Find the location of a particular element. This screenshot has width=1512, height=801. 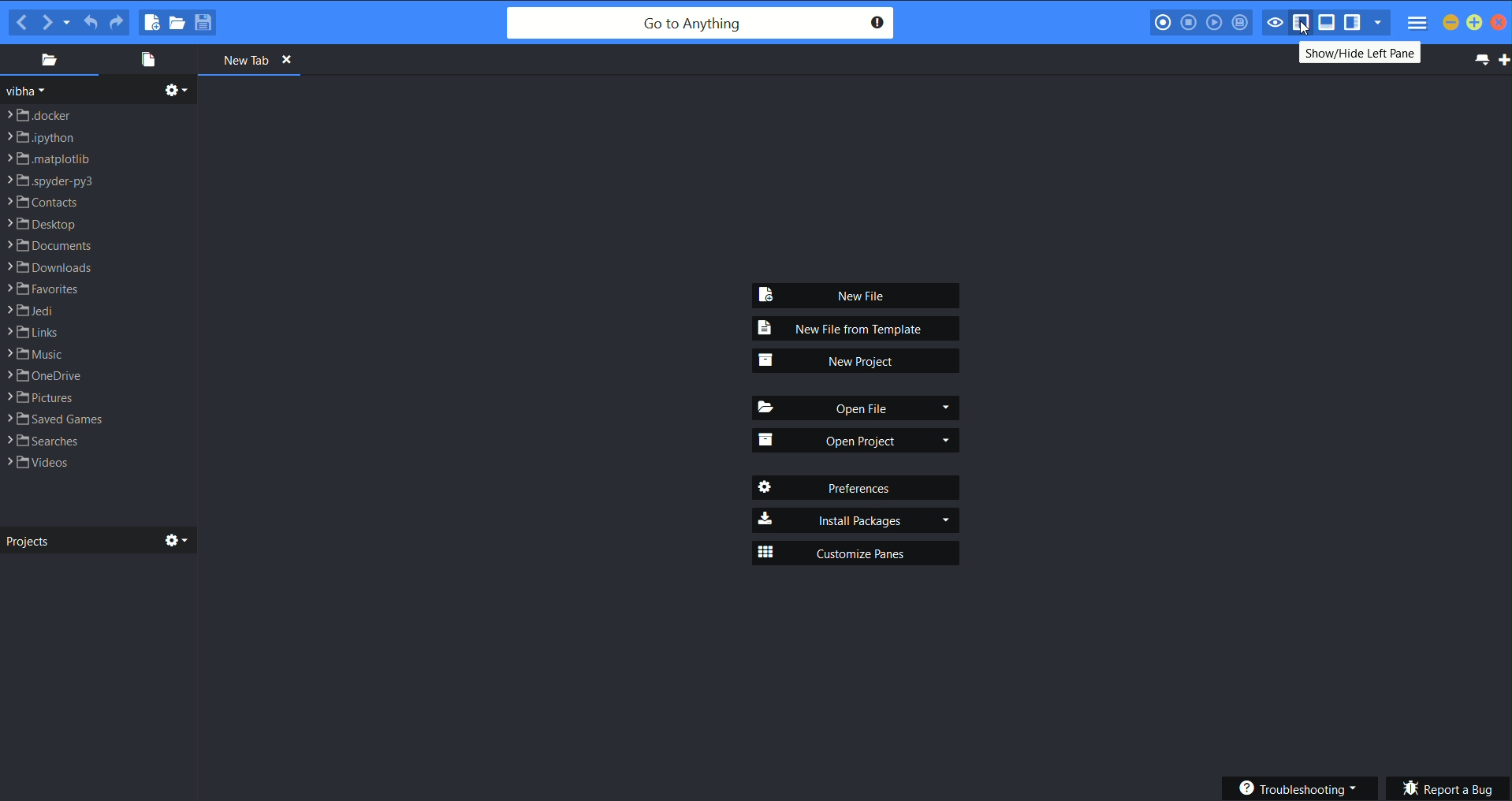

new tab is located at coordinates (1503, 64).